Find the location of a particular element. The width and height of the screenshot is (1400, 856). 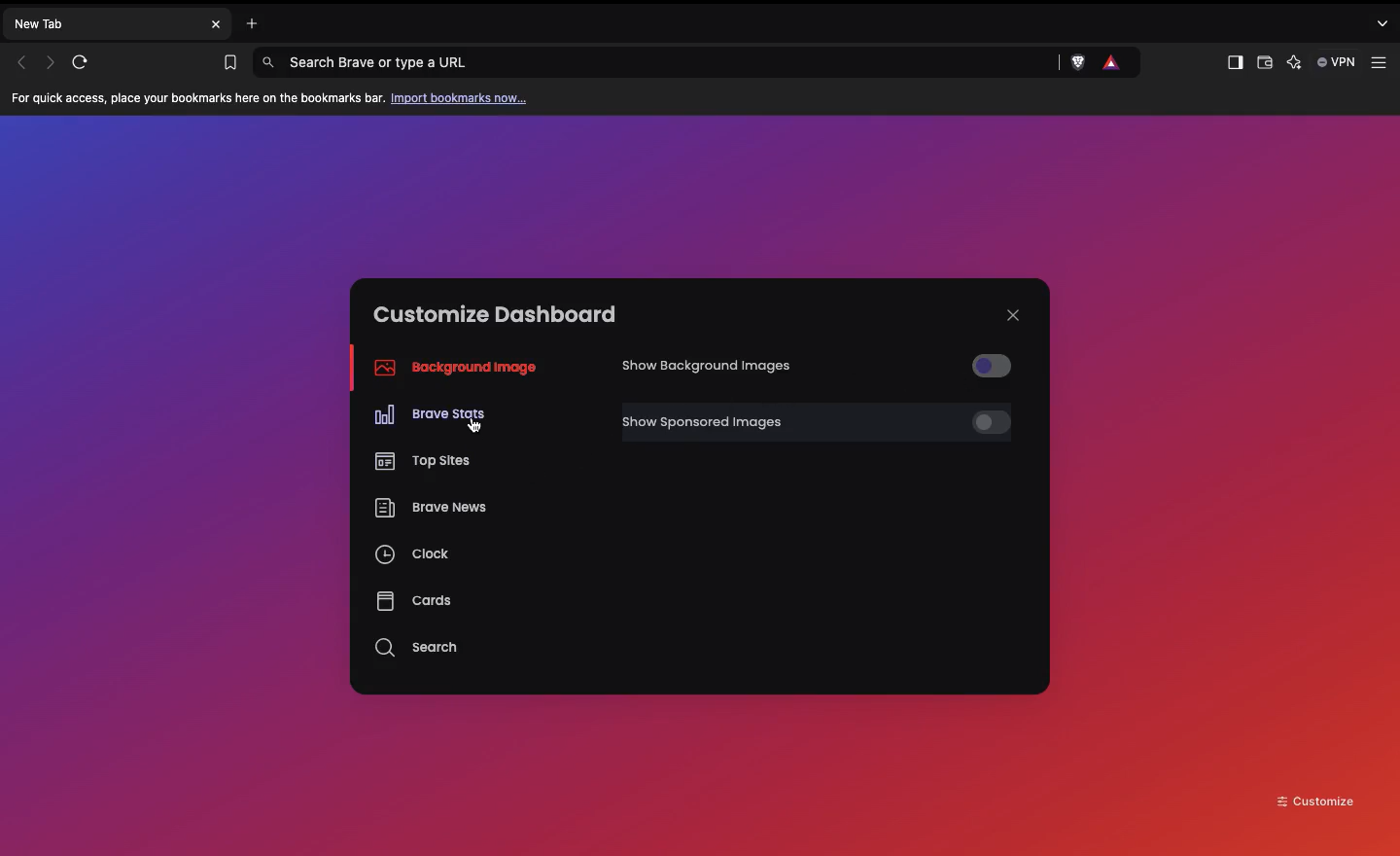

Wallet is located at coordinates (1263, 65).